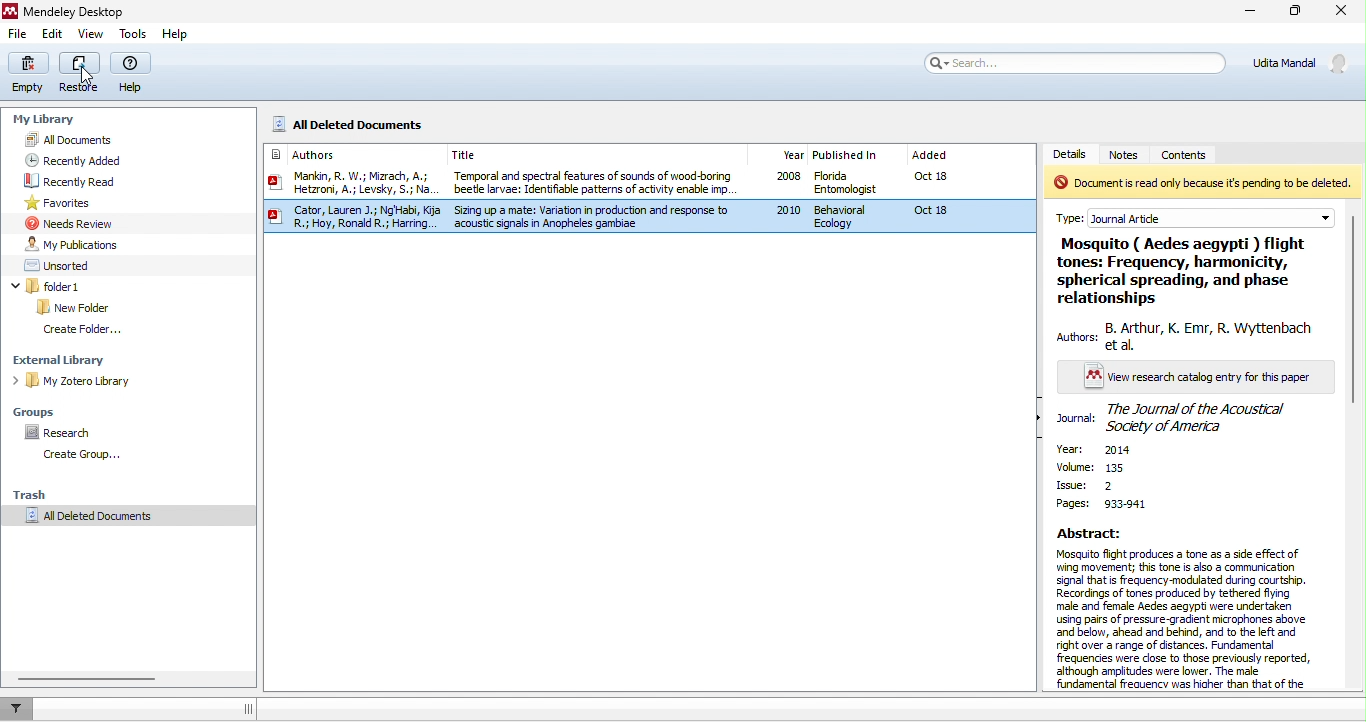  I want to click on Added oct 18oct 18, so click(955, 190).